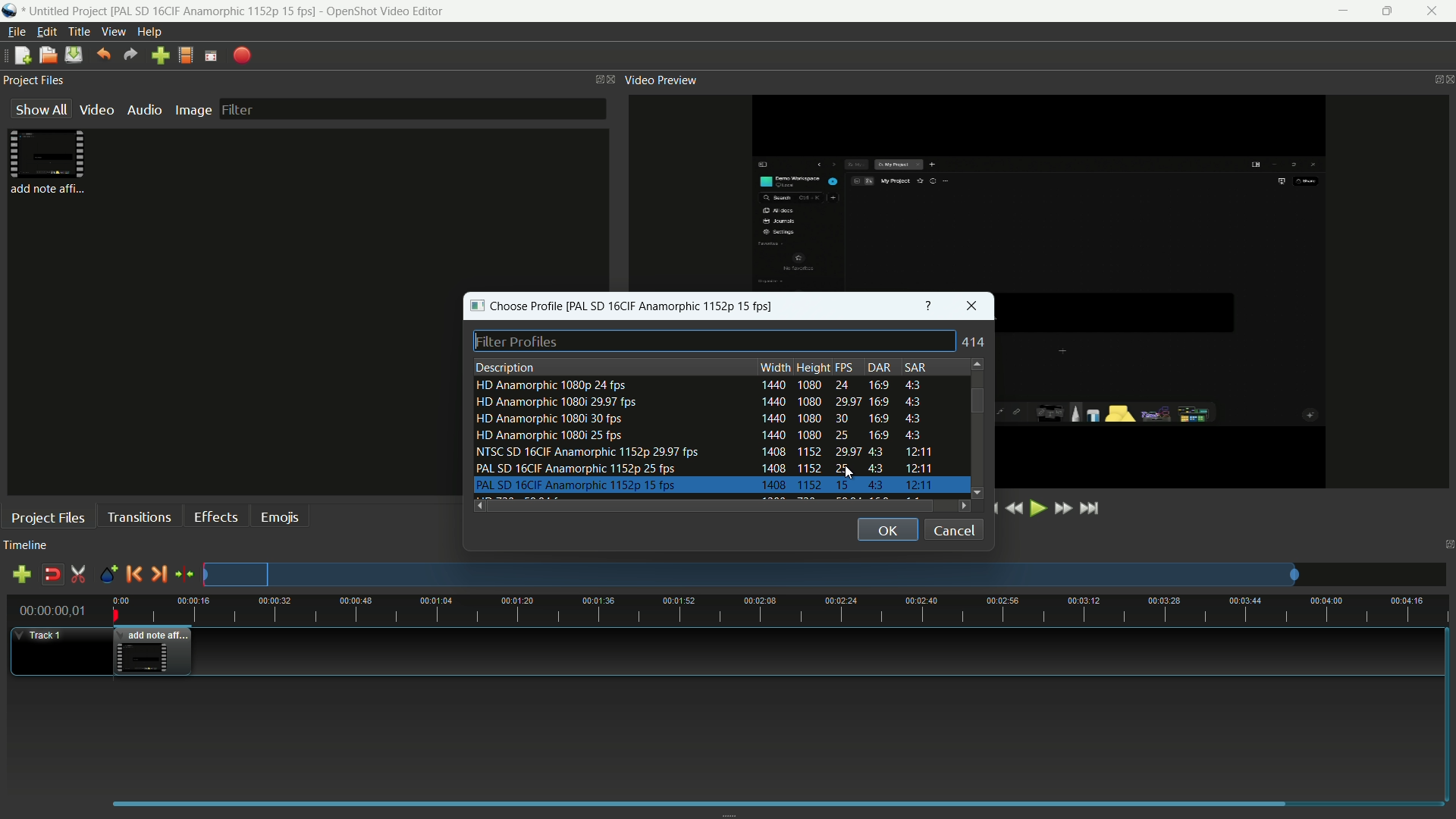  I want to click on 414, so click(976, 342).